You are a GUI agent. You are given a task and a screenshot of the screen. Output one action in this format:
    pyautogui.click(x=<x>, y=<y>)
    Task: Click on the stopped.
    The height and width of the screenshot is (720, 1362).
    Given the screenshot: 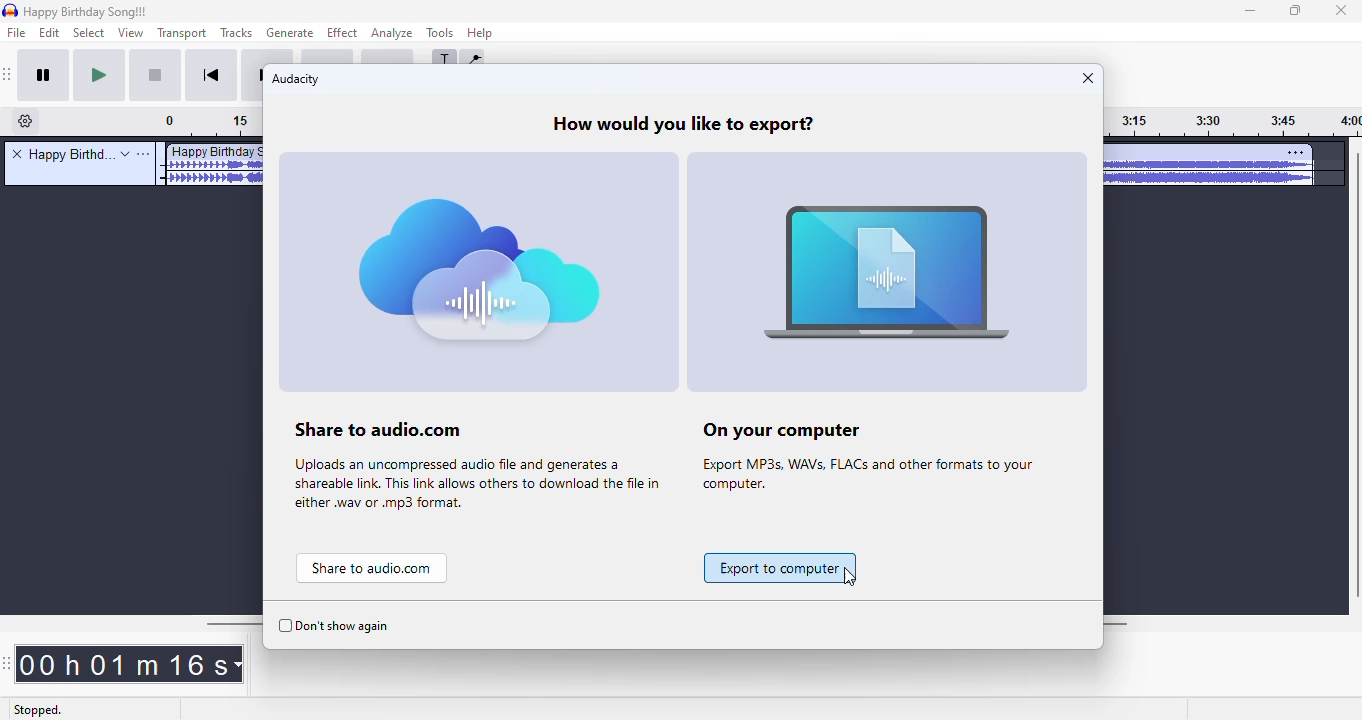 What is the action you would take?
    pyautogui.click(x=37, y=711)
    